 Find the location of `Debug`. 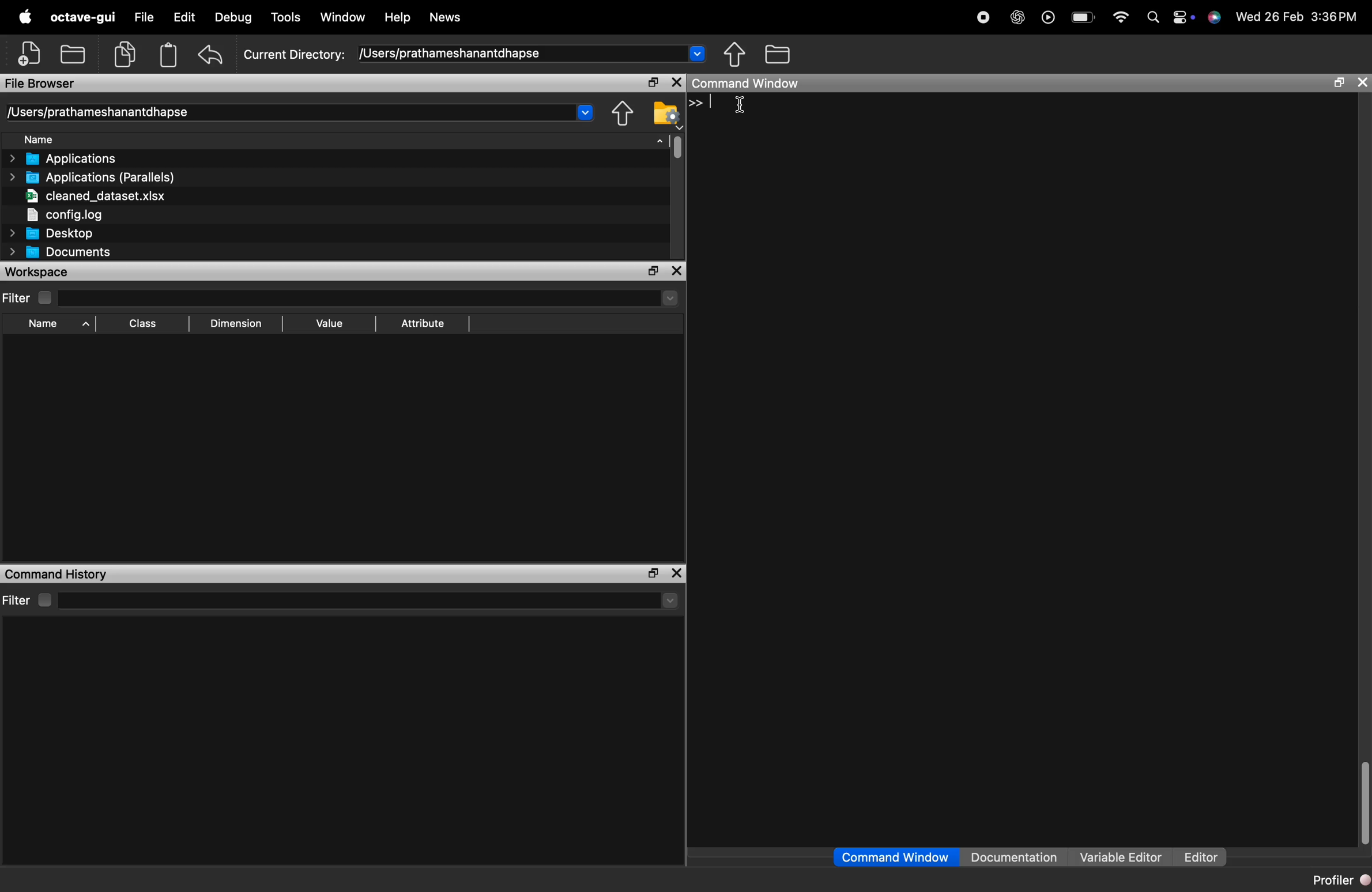

Debug is located at coordinates (232, 17).